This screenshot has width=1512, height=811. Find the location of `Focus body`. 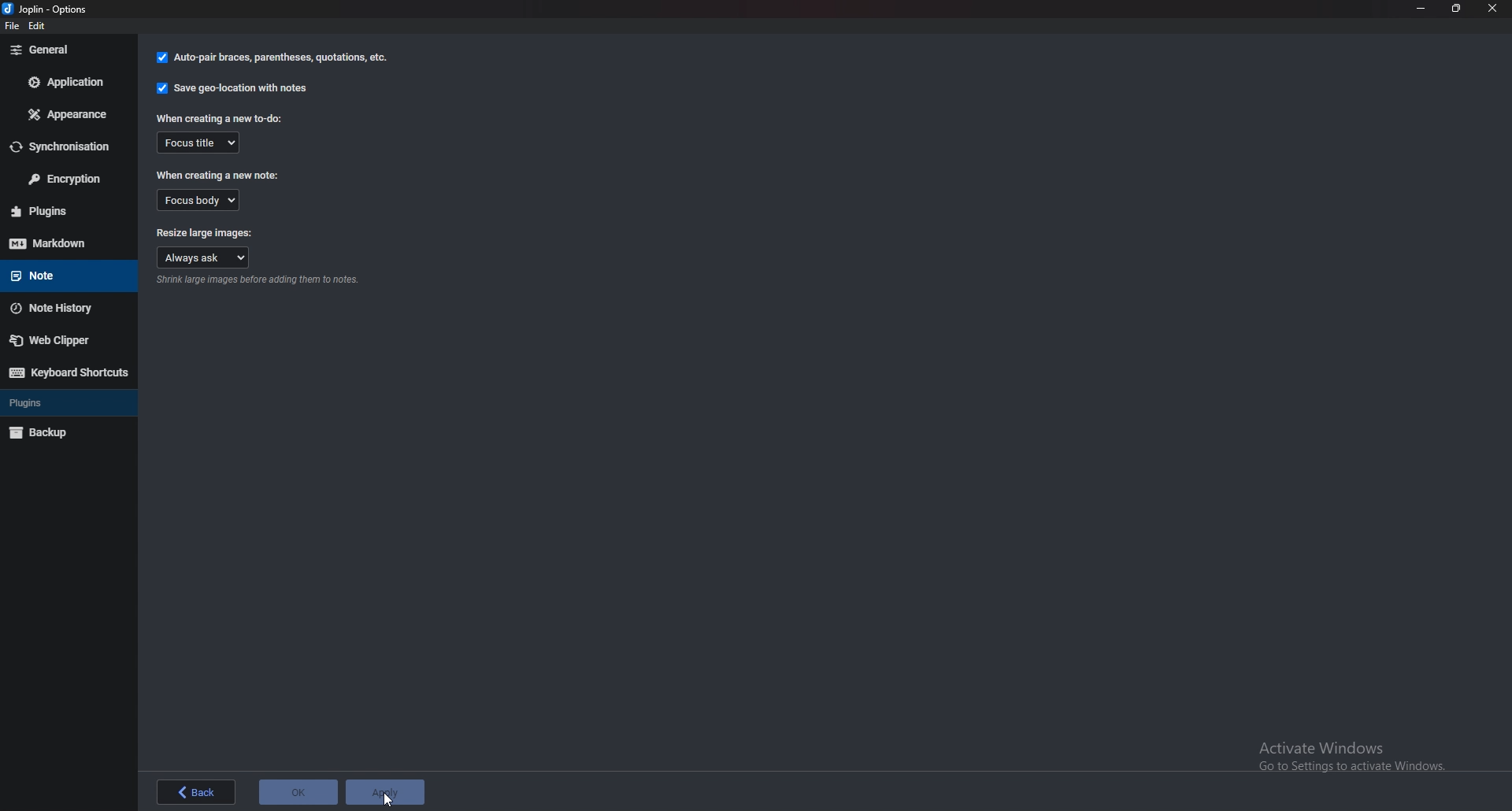

Focus body is located at coordinates (202, 201).